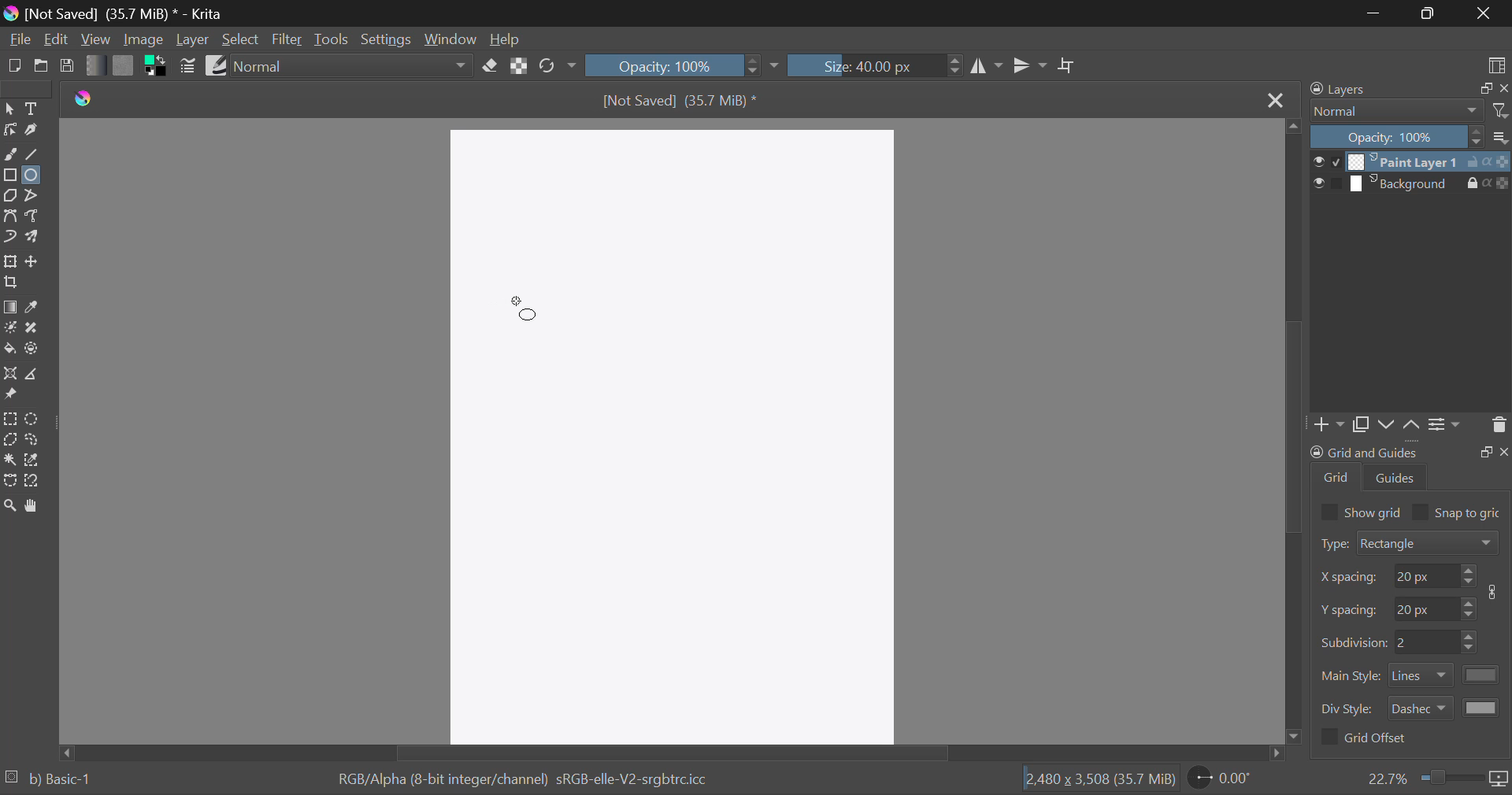 This screenshot has width=1512, height=795. What do you see at coordinates (507, 41) in the screenshot?
I see `Help` at bounding box center [507, 41].